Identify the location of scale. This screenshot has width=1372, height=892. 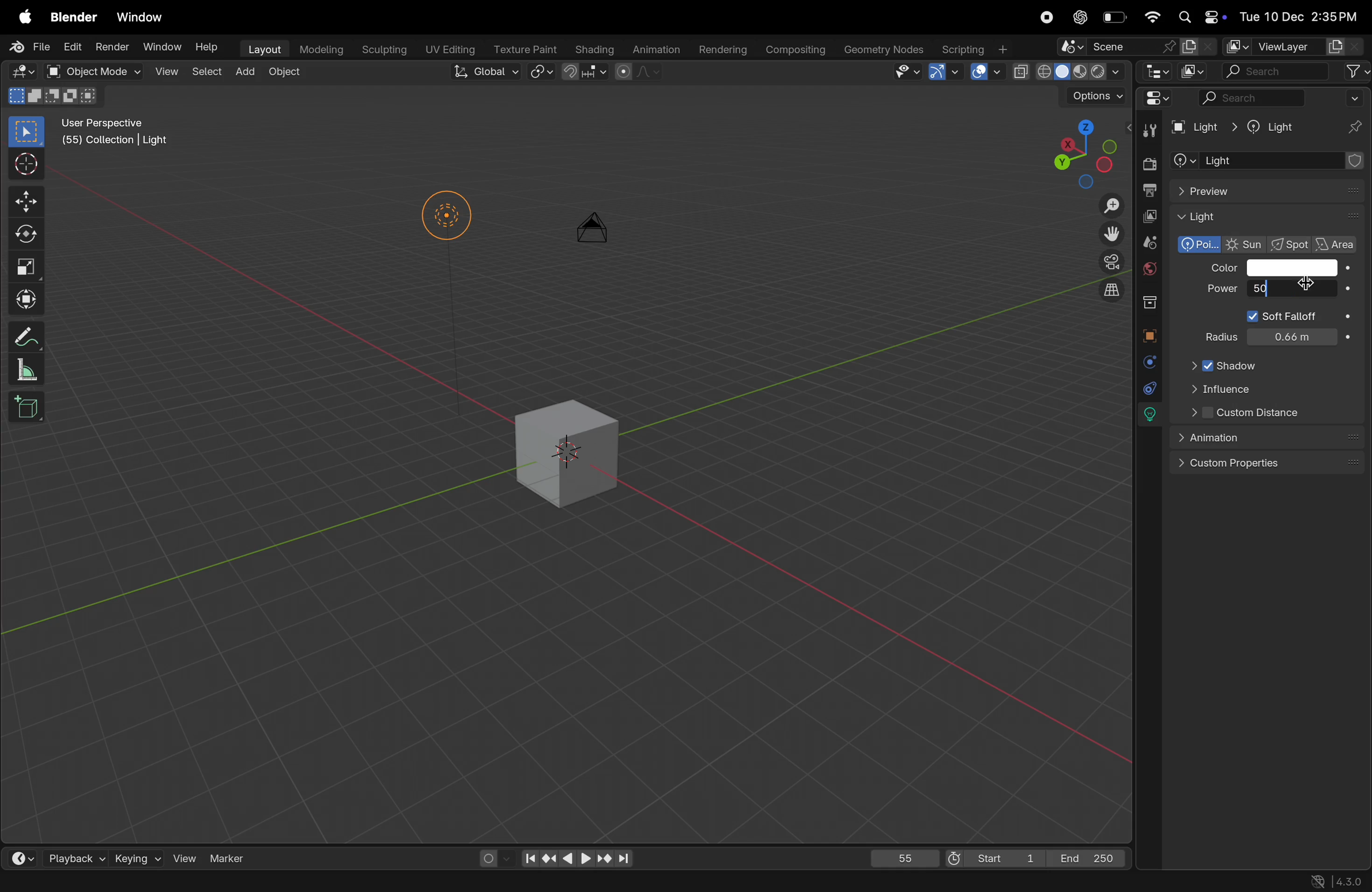
(31, 269).